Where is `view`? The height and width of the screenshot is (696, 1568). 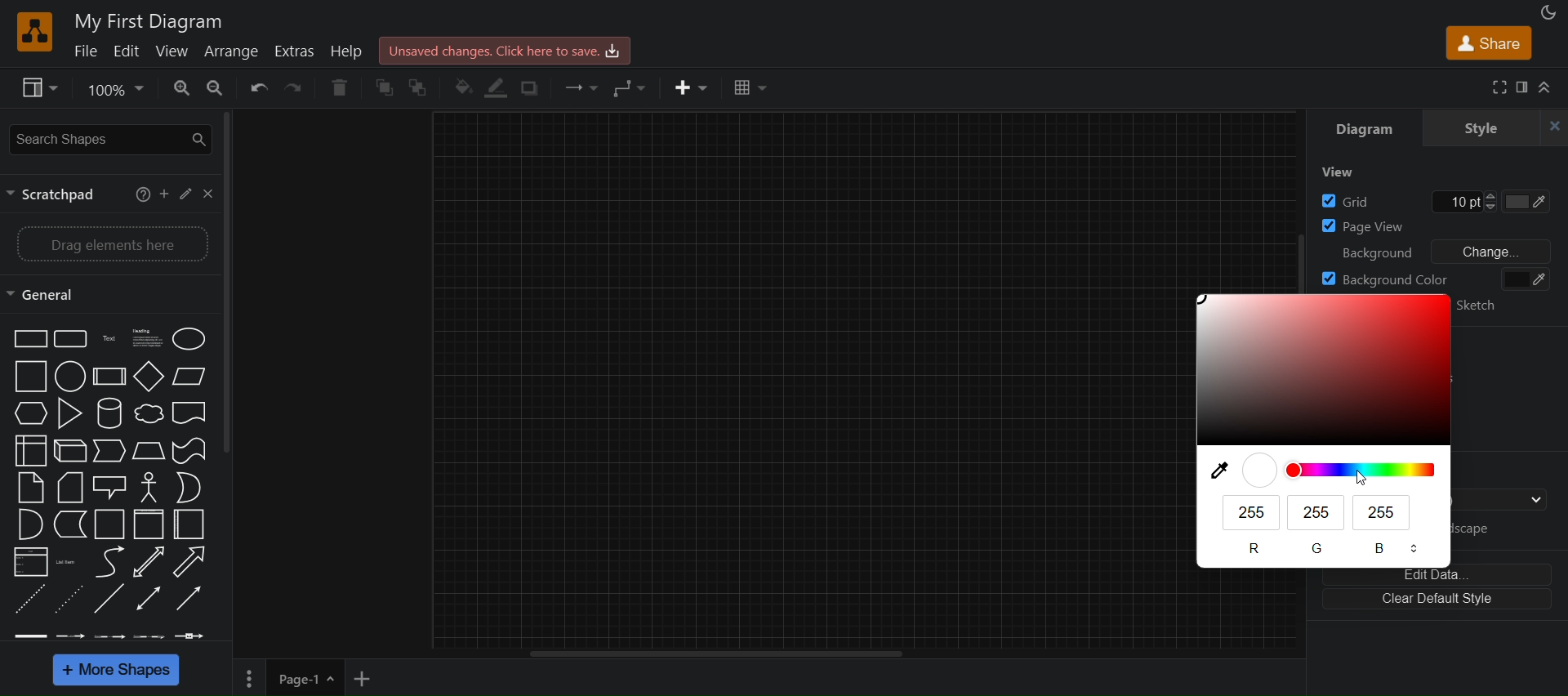 view is located at coordinates (39, 88).